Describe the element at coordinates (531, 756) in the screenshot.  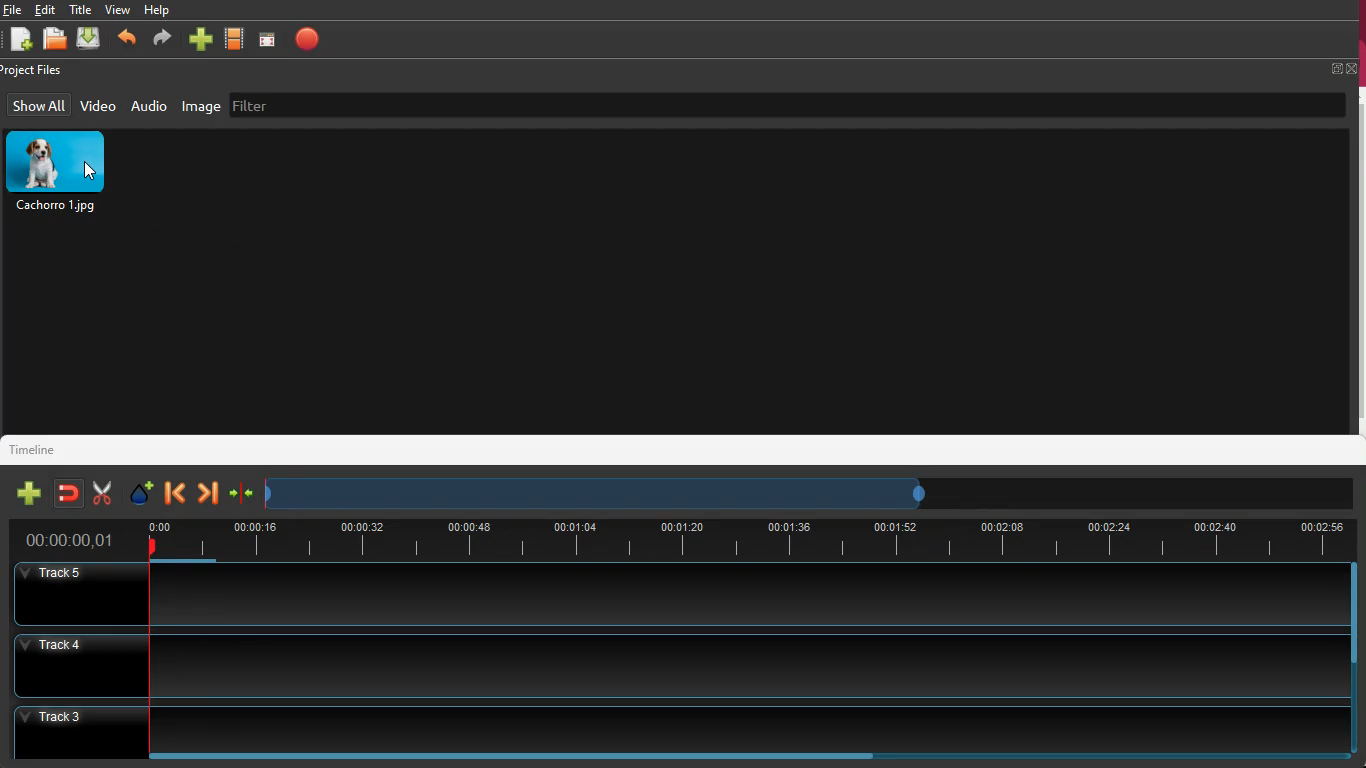
I see `Horizontal scroll bar` at that location.